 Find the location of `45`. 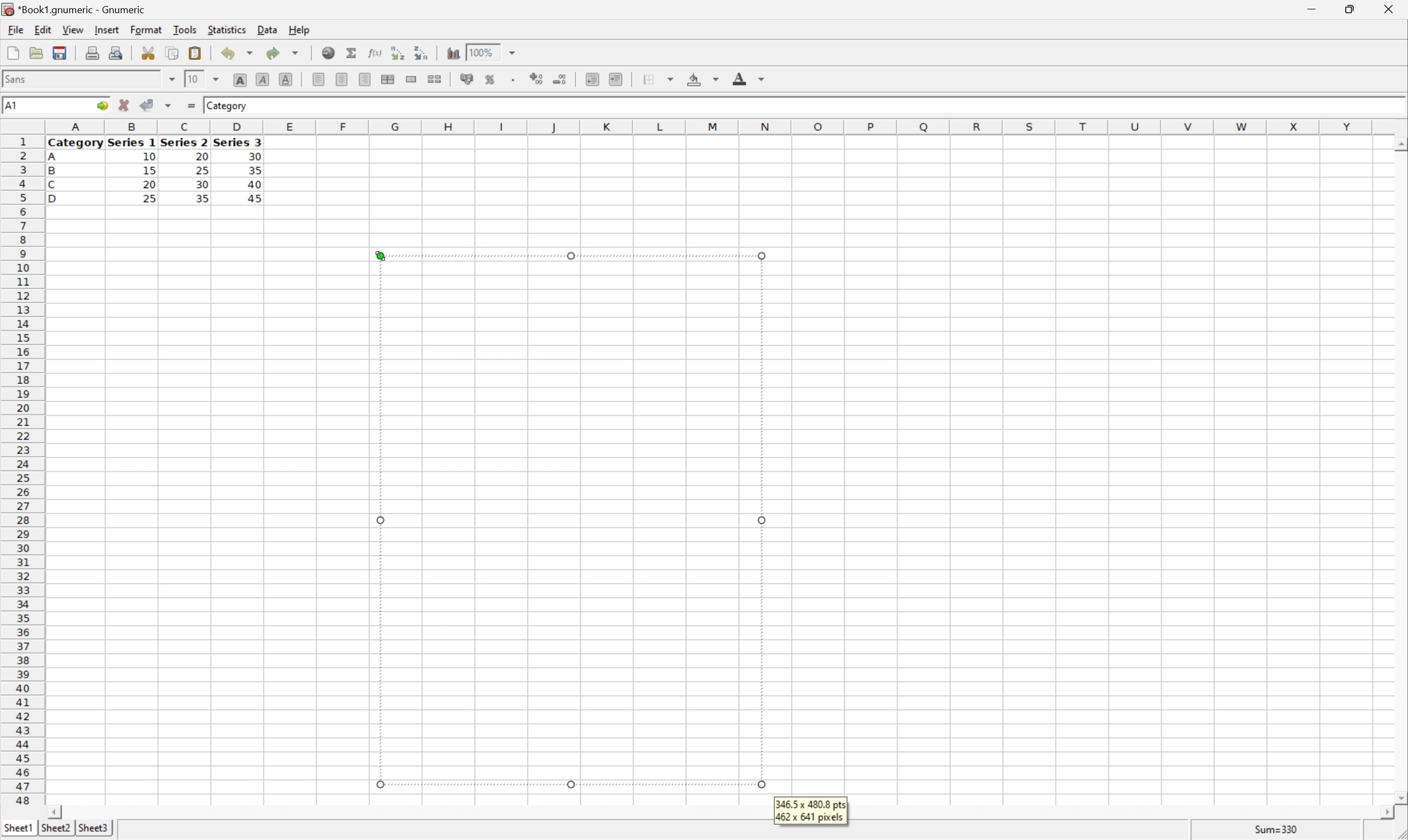

45 is located at coordinates (260, 199).